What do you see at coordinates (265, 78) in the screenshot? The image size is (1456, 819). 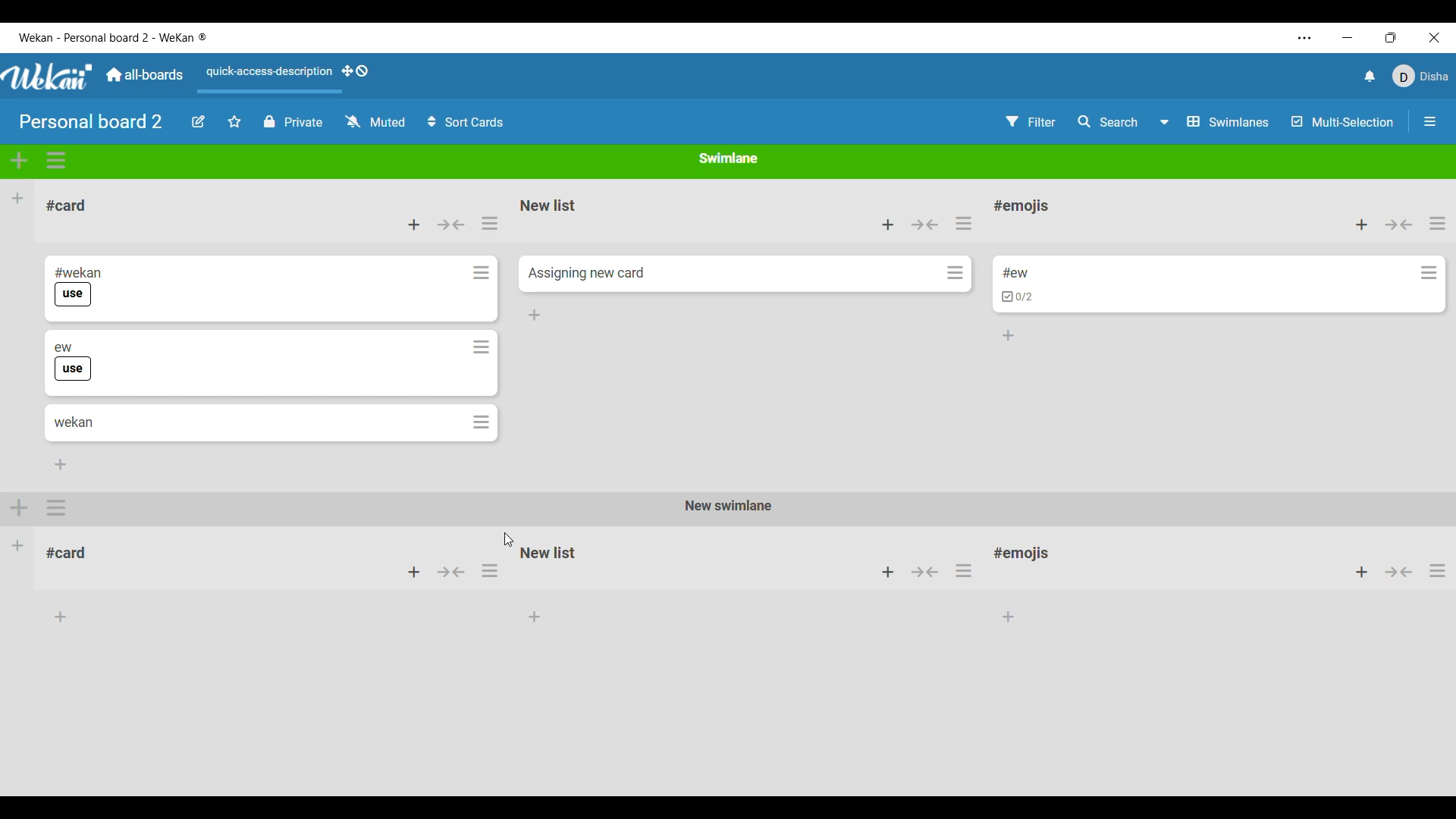 I see `Quick access description` at bounding box center [265, 78].